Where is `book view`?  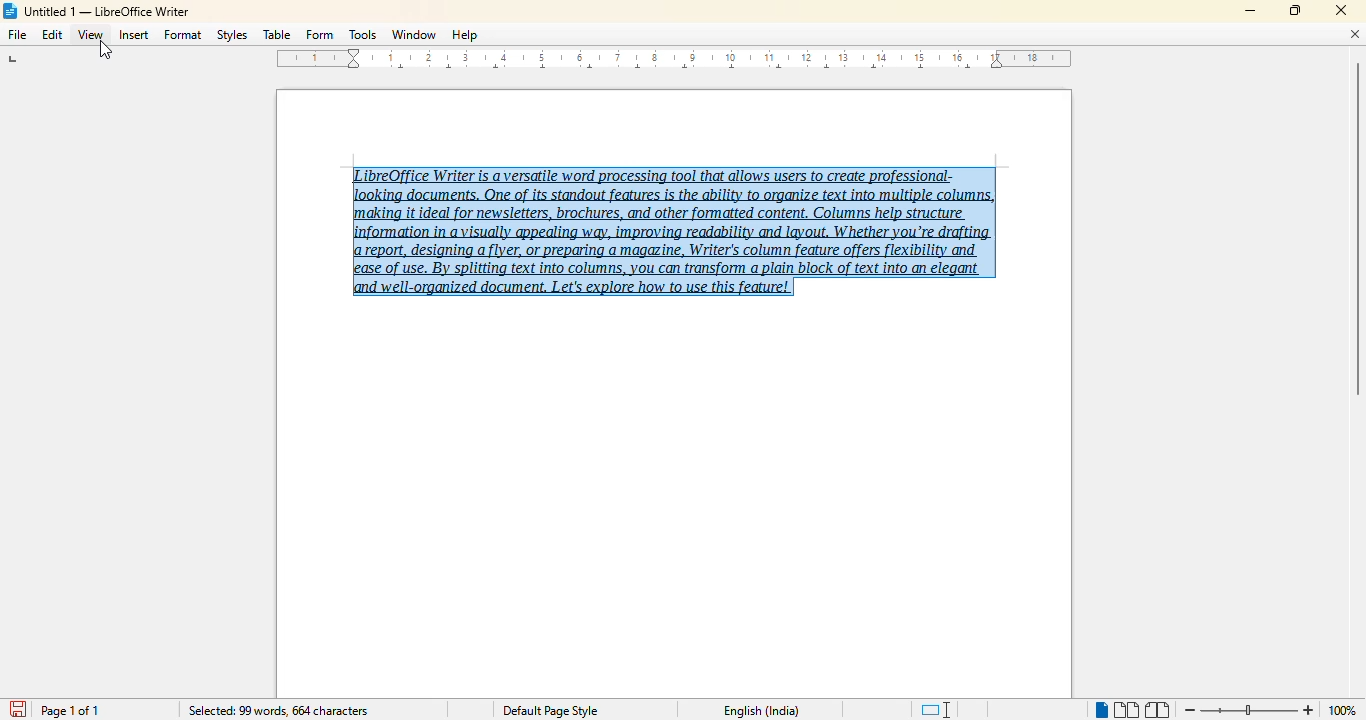
book view is located at coordinates (1157, 710).